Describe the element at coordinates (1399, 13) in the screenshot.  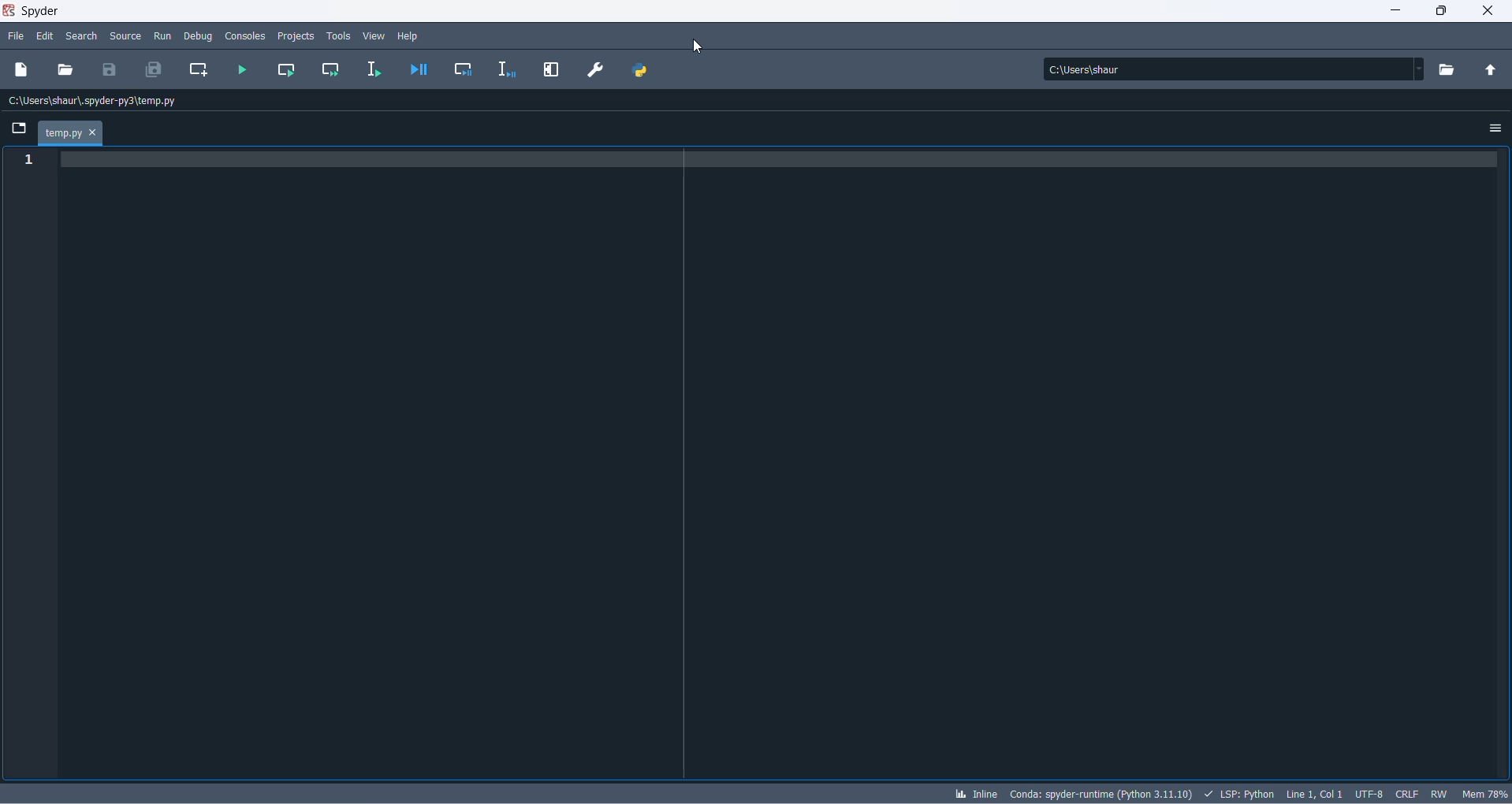
I see `minimize` at that location.